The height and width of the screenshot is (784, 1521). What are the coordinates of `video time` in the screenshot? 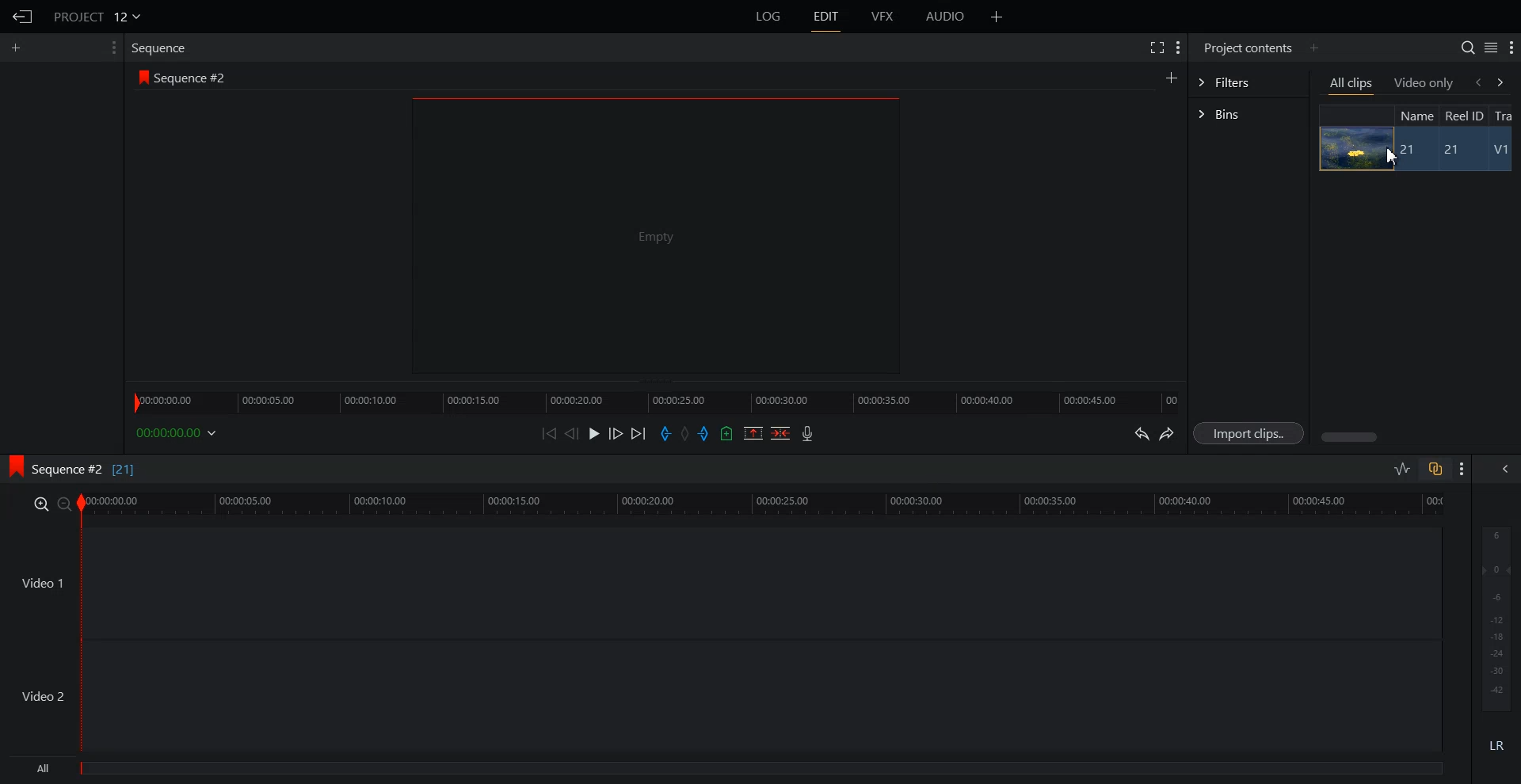 It's located at (765, 502).